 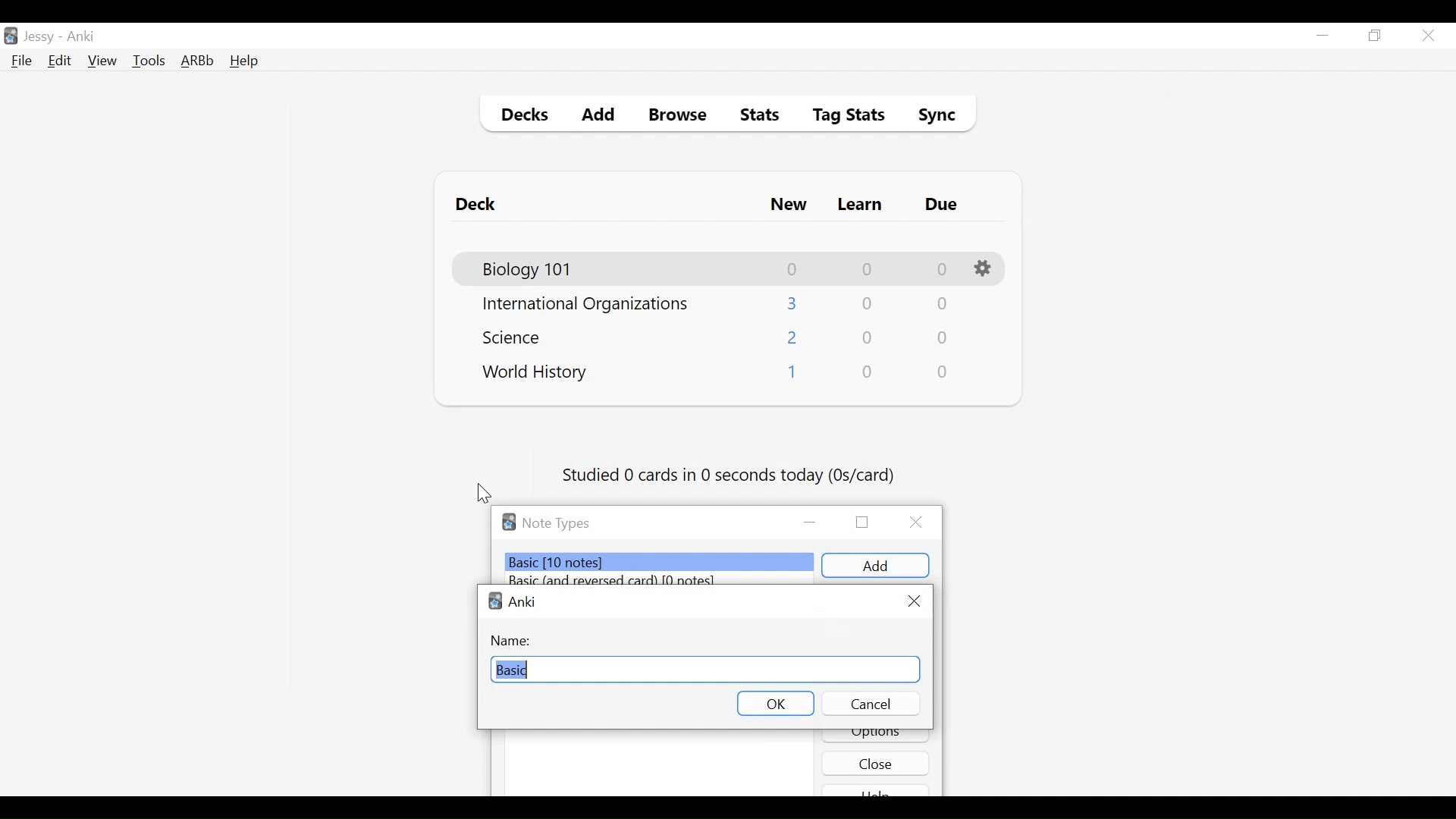 What do you see at coordinates (868, 372) in the screenshot?
I see `` at bounding box center [868, 372].